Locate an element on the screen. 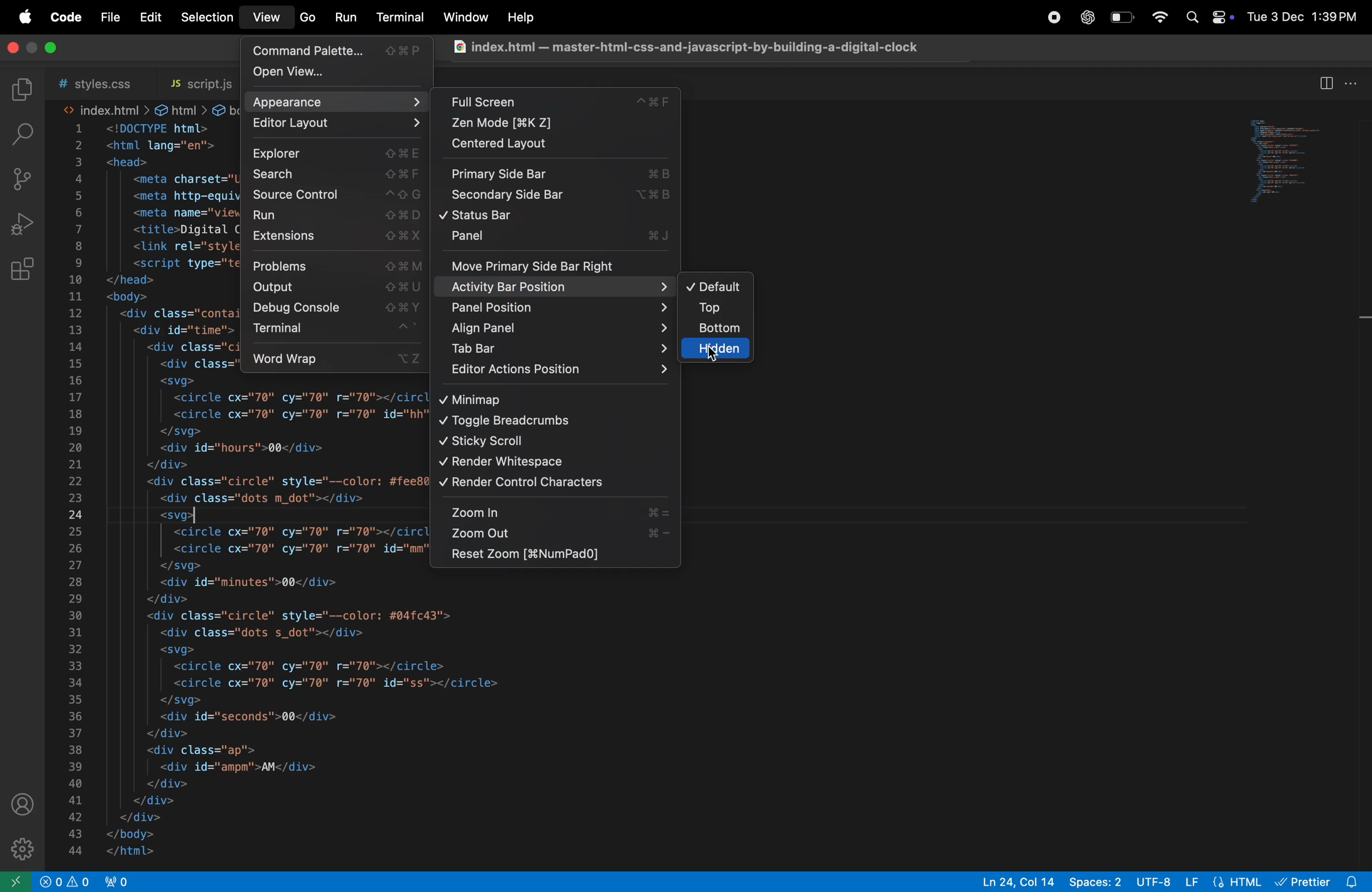  apple widgets is located at coordinates (1207, 16).